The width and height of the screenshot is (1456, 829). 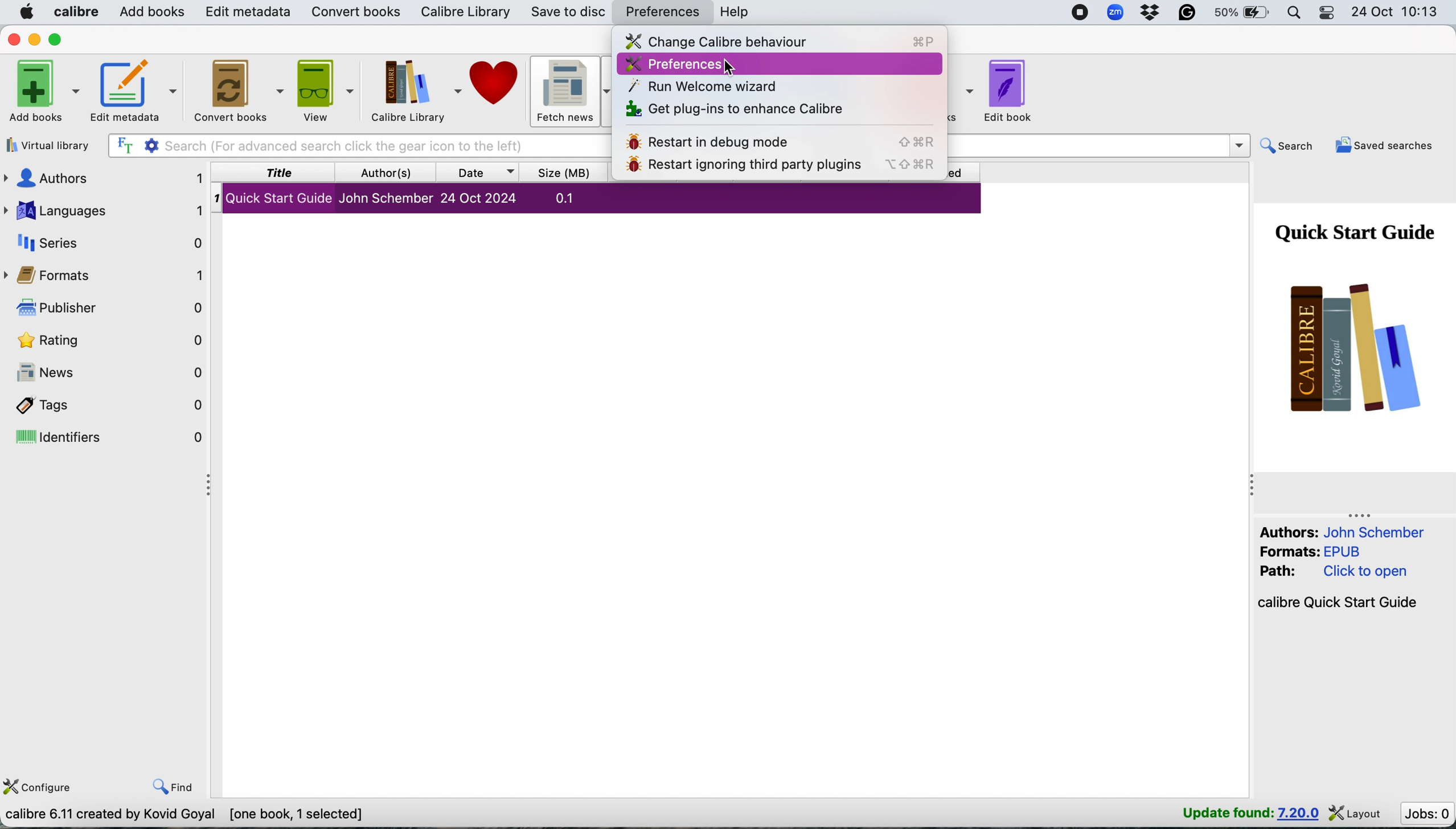 I want to click on languages, so click(x=105, y=211).